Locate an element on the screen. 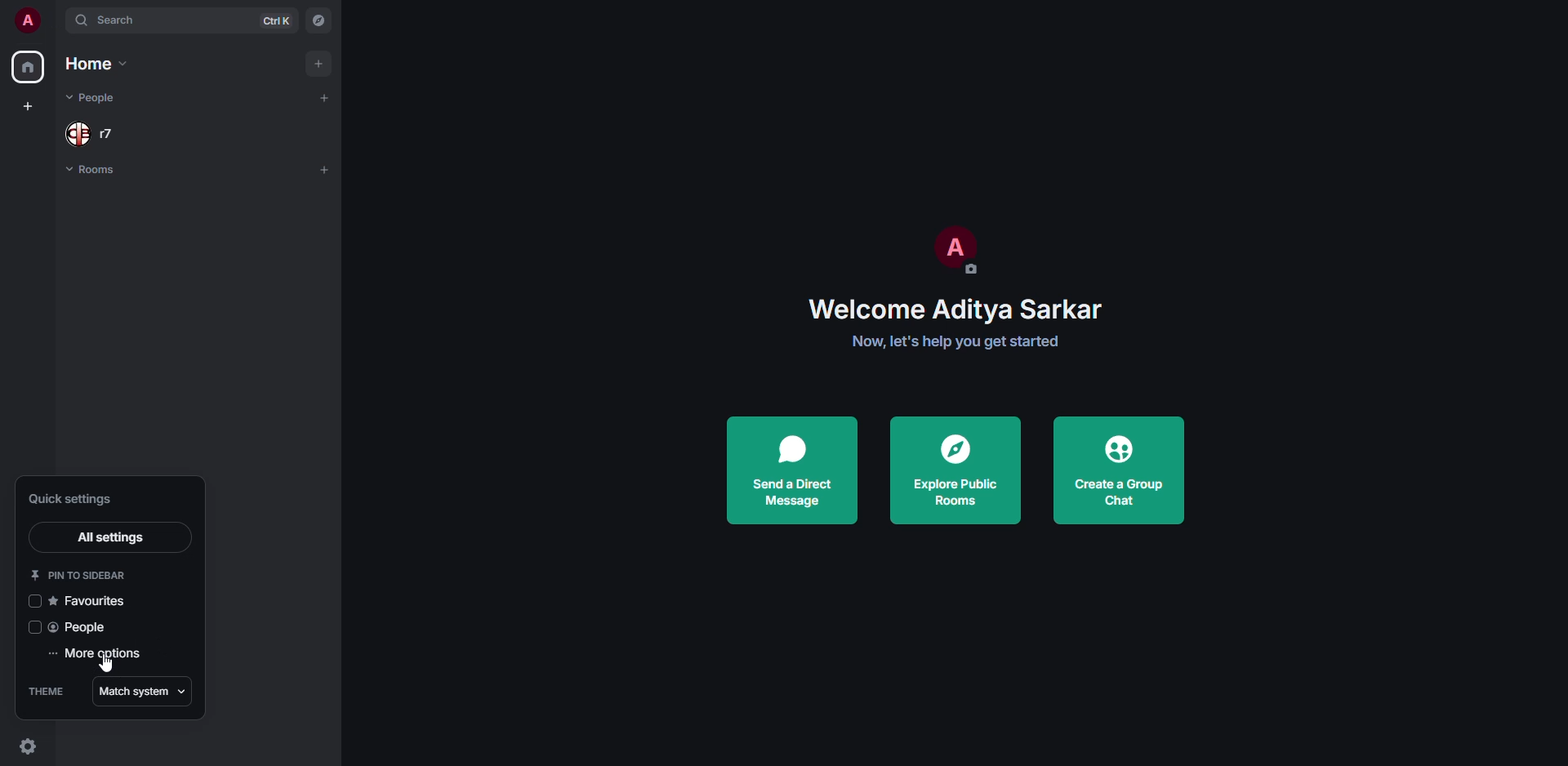 This screenshot has height=766, width=1568. people is located at coordinates (80, 627).